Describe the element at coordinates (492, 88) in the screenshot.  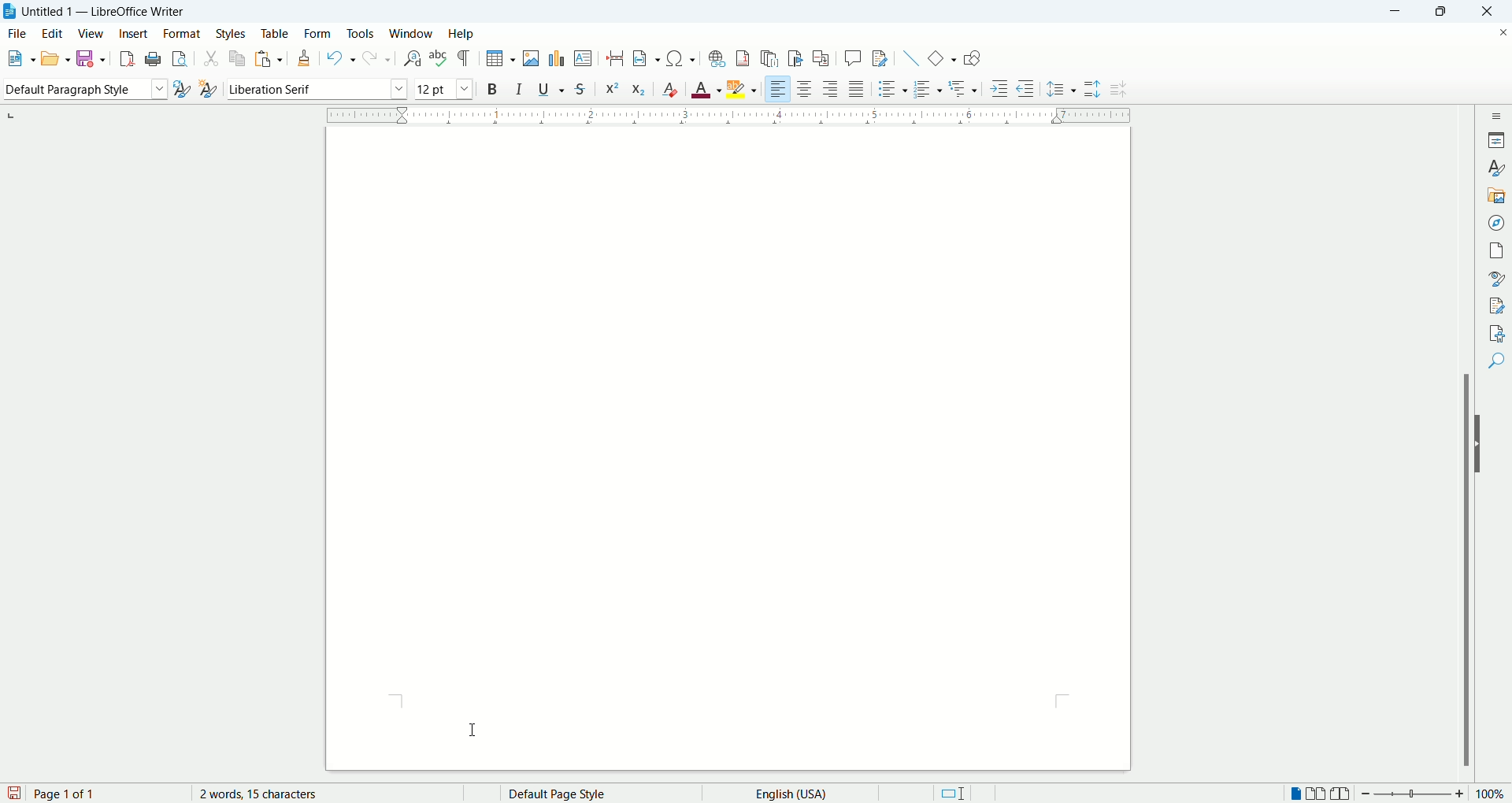
I see `bold` at that location.